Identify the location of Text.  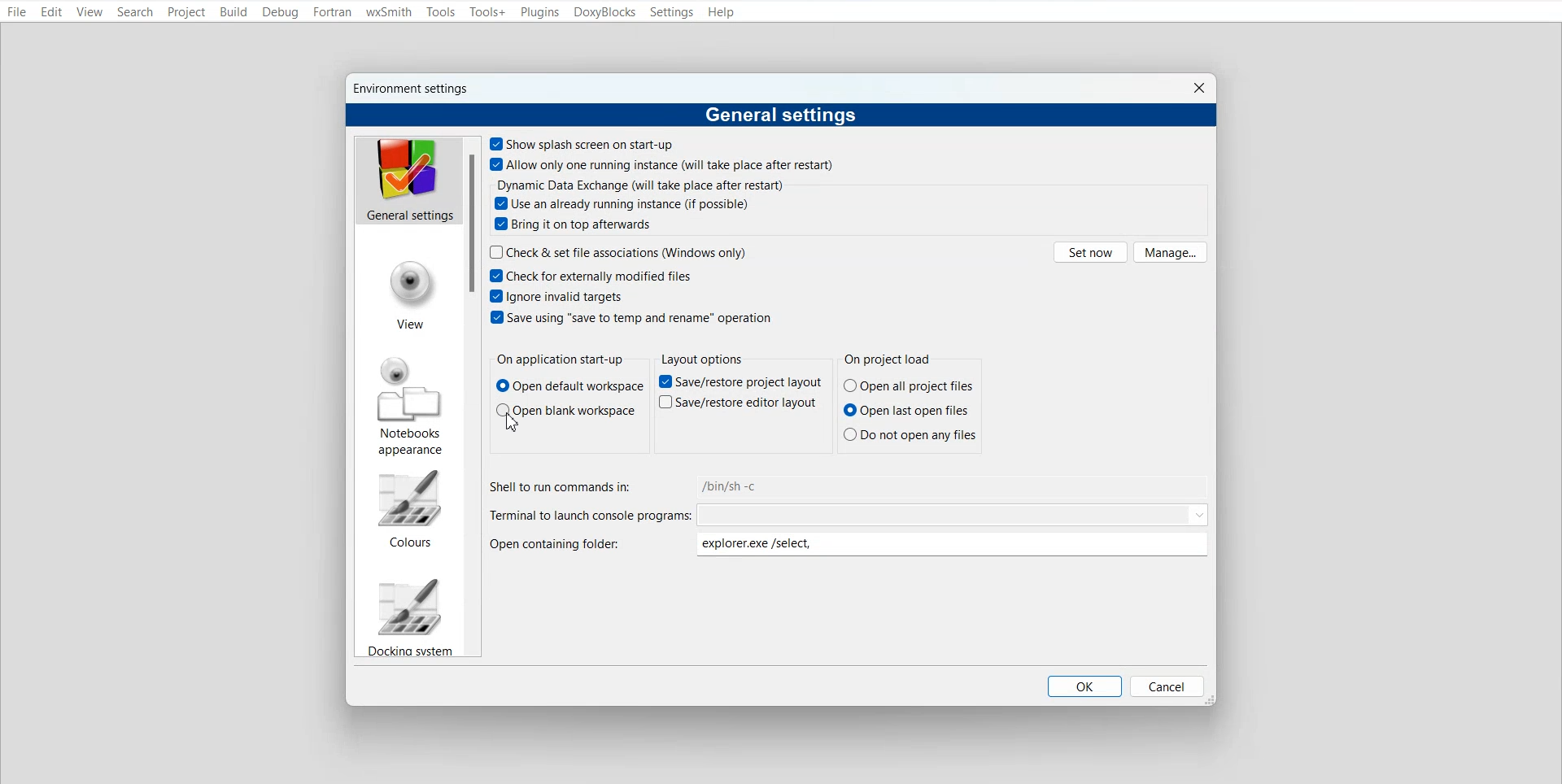
(560, 360).